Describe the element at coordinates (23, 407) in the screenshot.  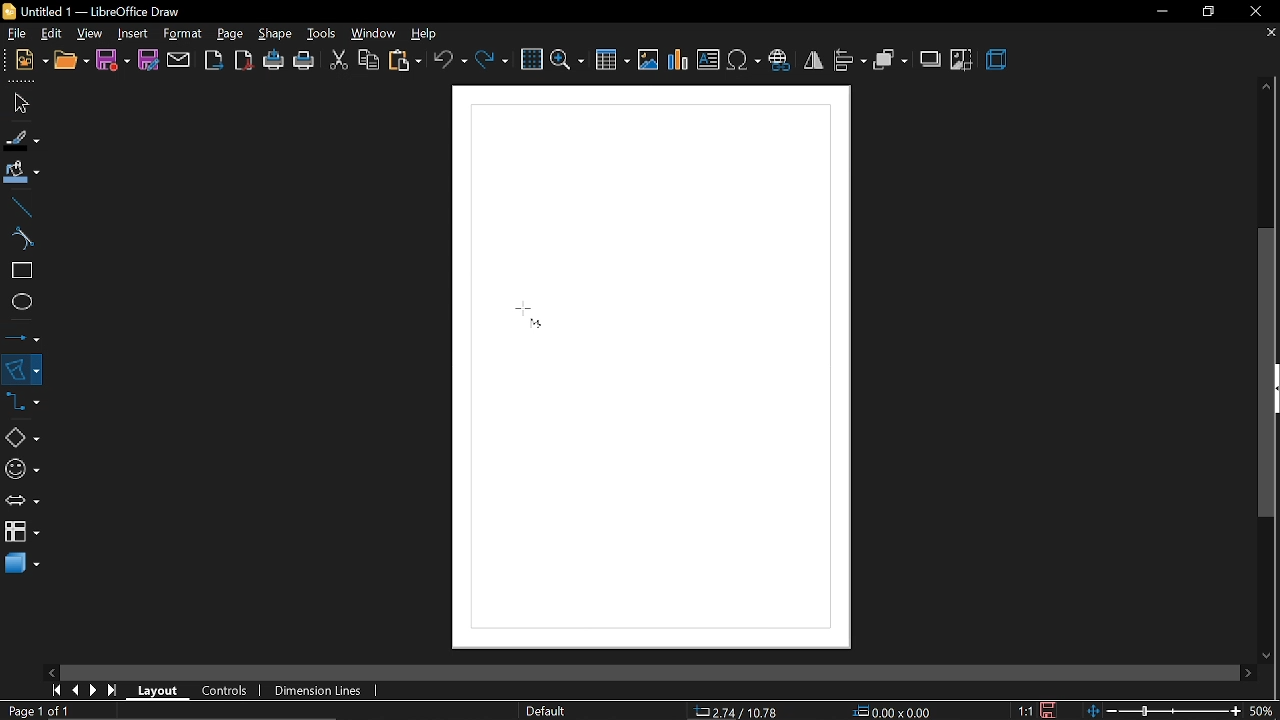
I see `connectors` at that location.